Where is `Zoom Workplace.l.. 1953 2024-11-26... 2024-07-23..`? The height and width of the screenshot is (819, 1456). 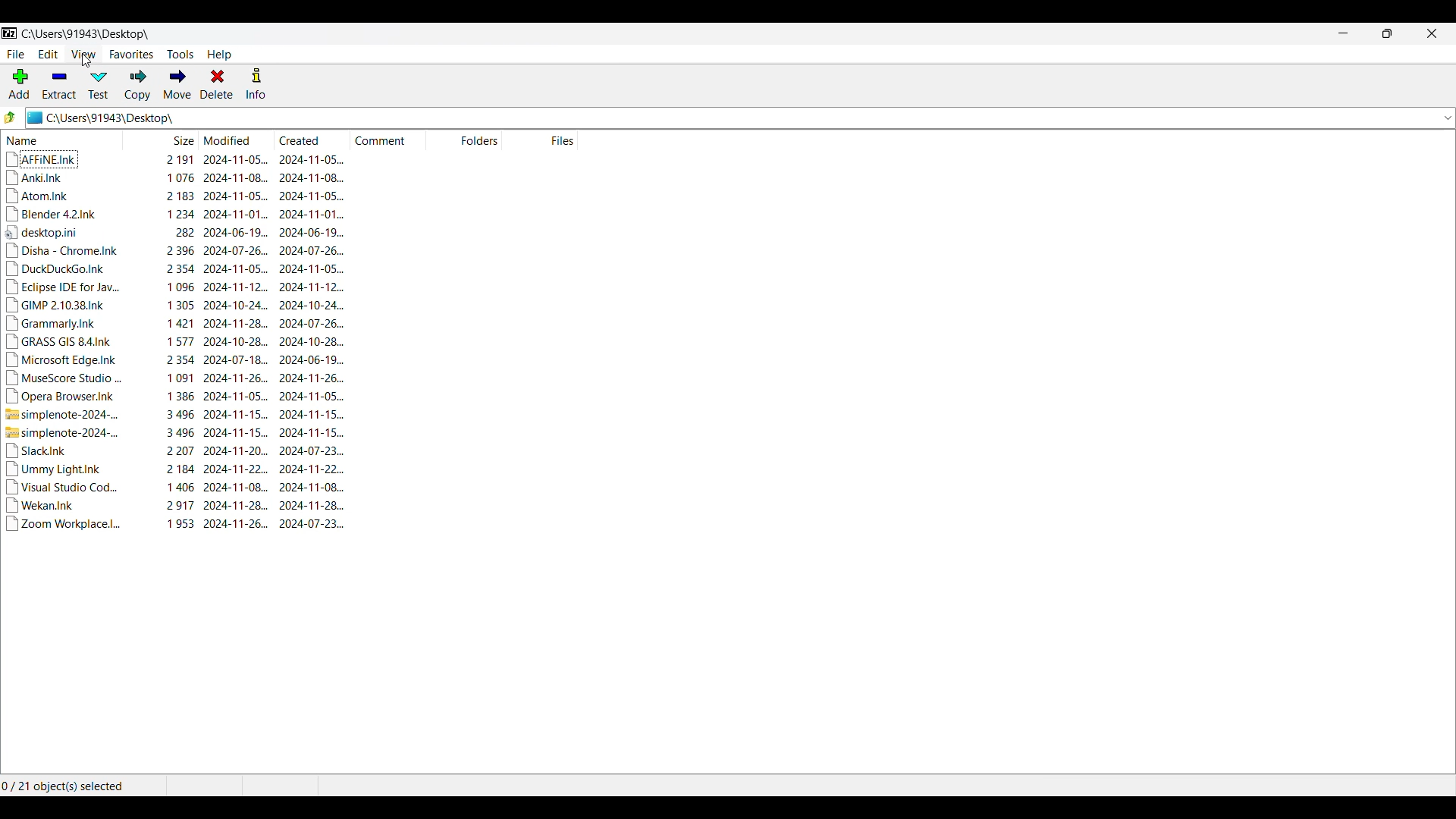
Zoom Workplace.l.. 1953 2024-11-26... 2024-07-23.. is located at coordinates (180, 529).